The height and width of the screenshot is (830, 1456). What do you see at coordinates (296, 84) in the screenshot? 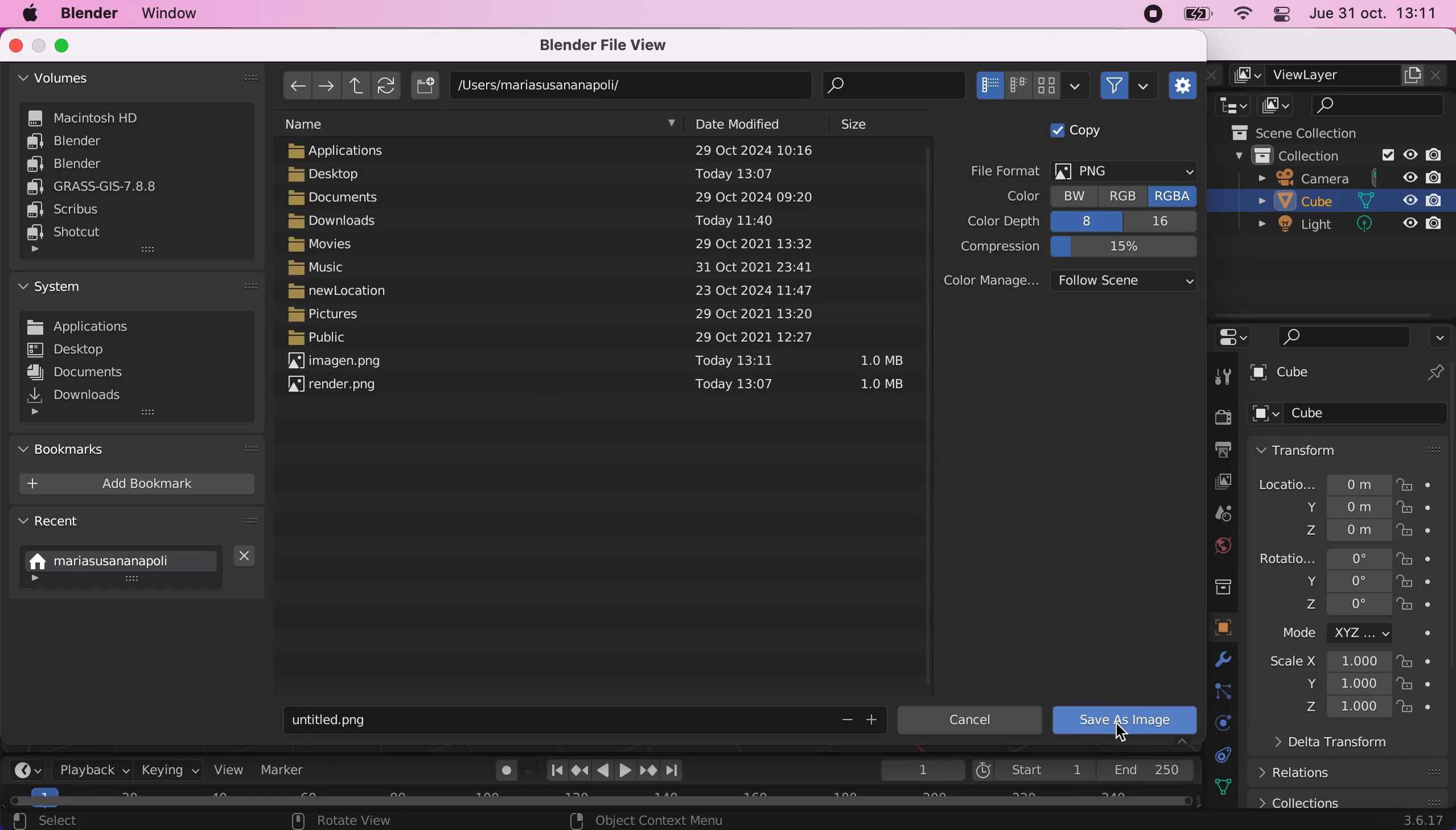
I see `previous folder` at bounding box center [296, 84].